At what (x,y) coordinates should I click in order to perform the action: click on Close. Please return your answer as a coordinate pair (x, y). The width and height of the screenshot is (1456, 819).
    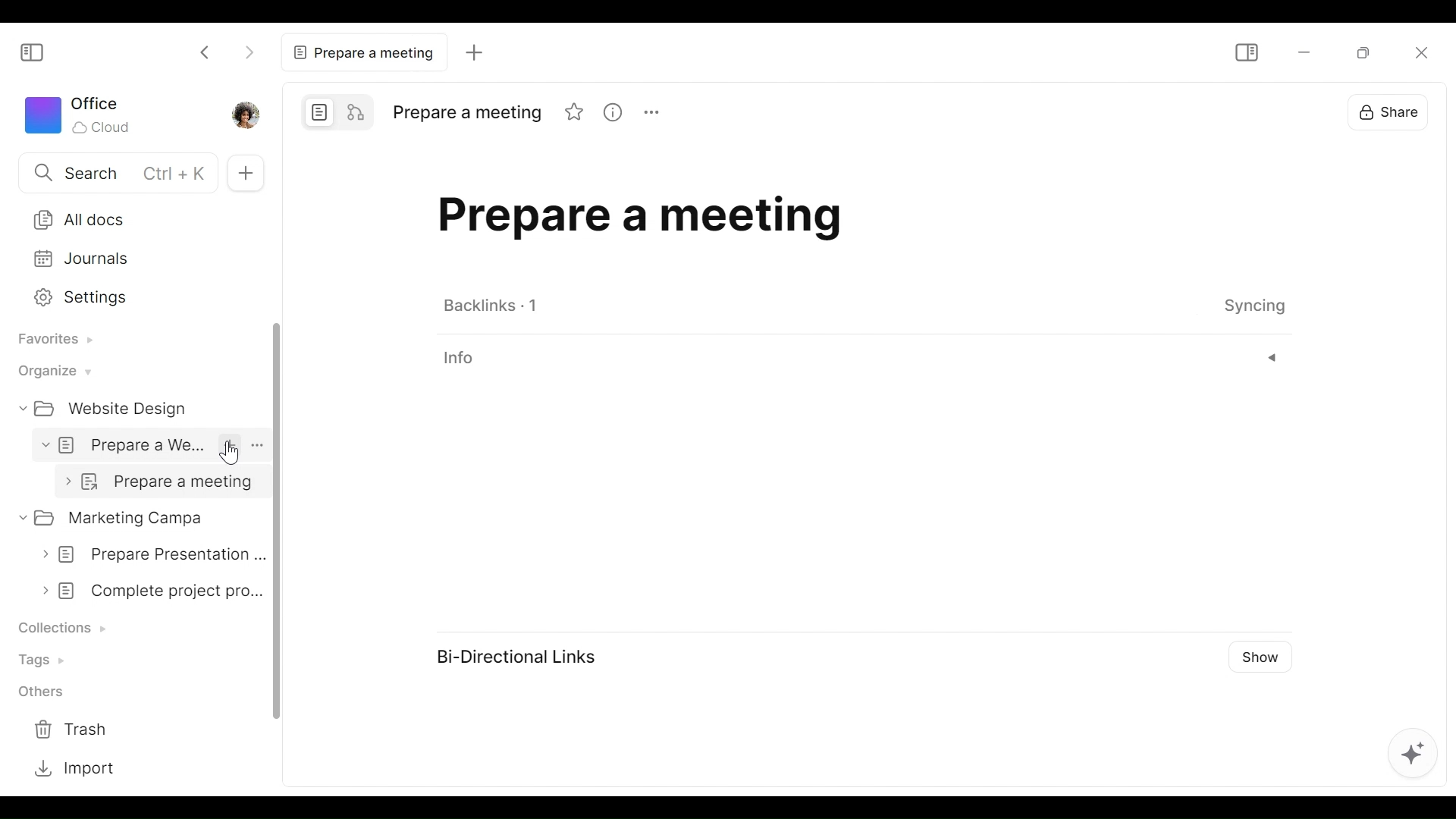
    Looking at the image, I should click on (1419, 52).